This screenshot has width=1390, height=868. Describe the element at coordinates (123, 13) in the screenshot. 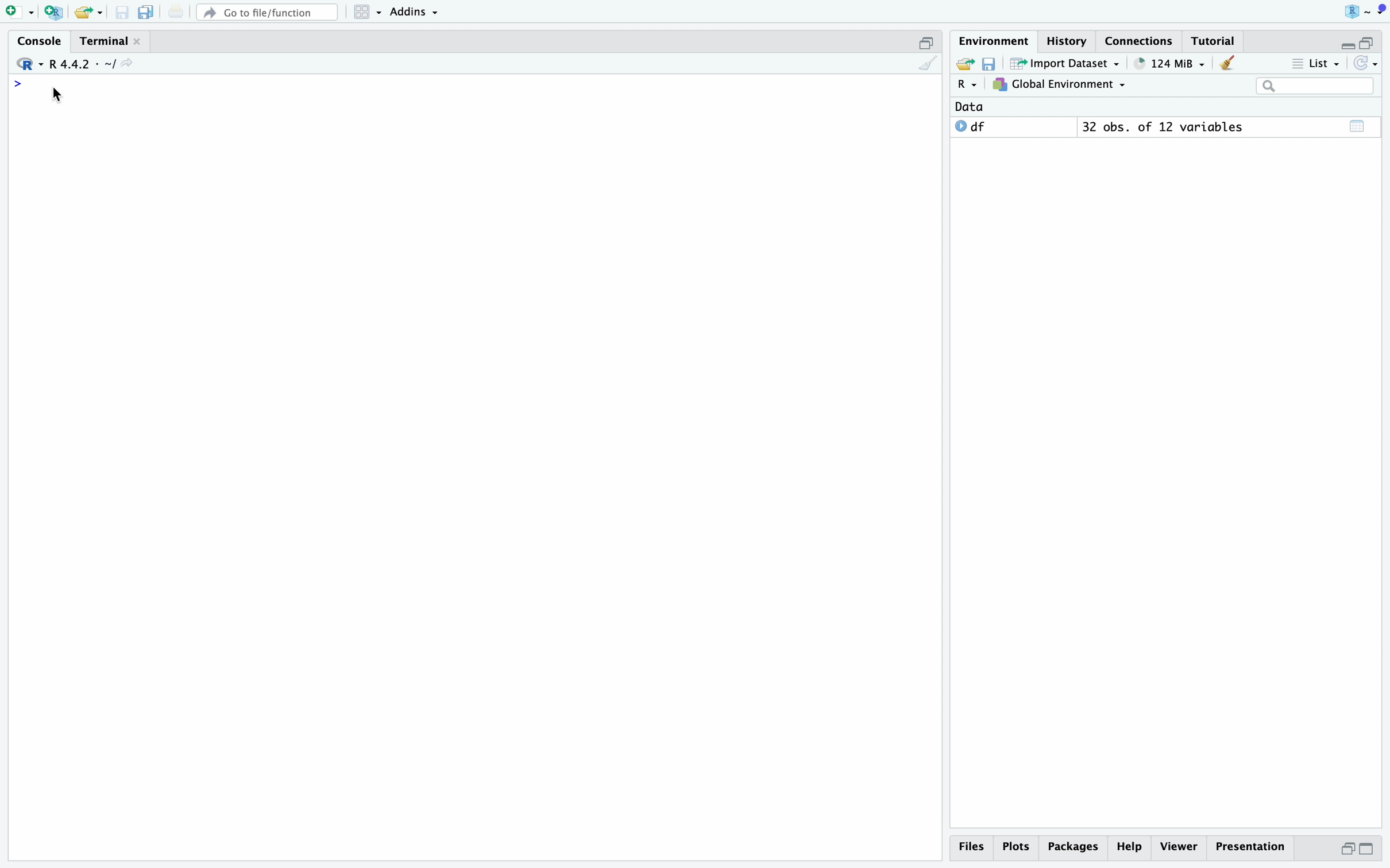

I see `save` at that location.